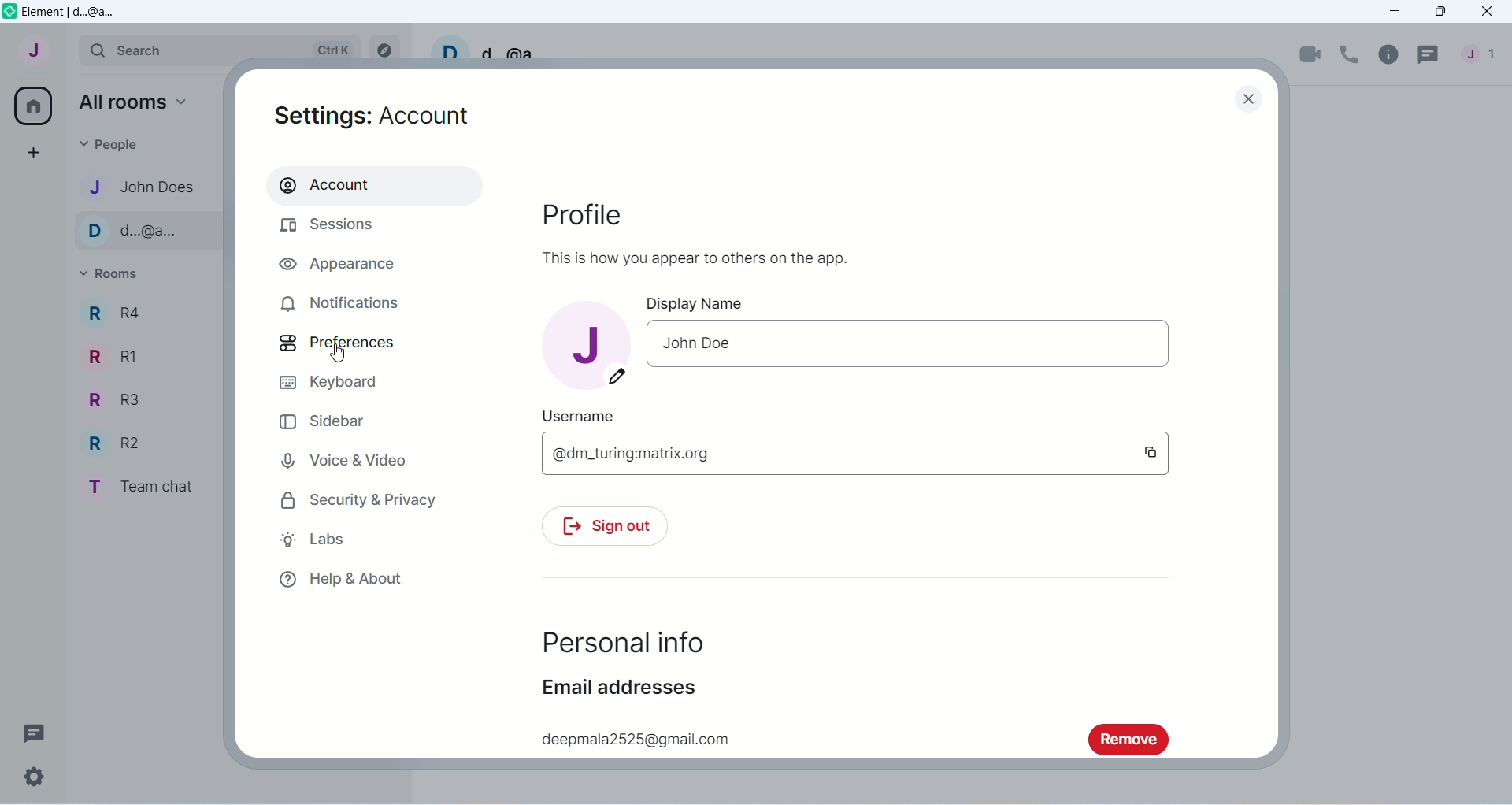 Image resolution: width=1512 pixels, height=805 pixels. I want to click on Video call, so click(1312, 54).